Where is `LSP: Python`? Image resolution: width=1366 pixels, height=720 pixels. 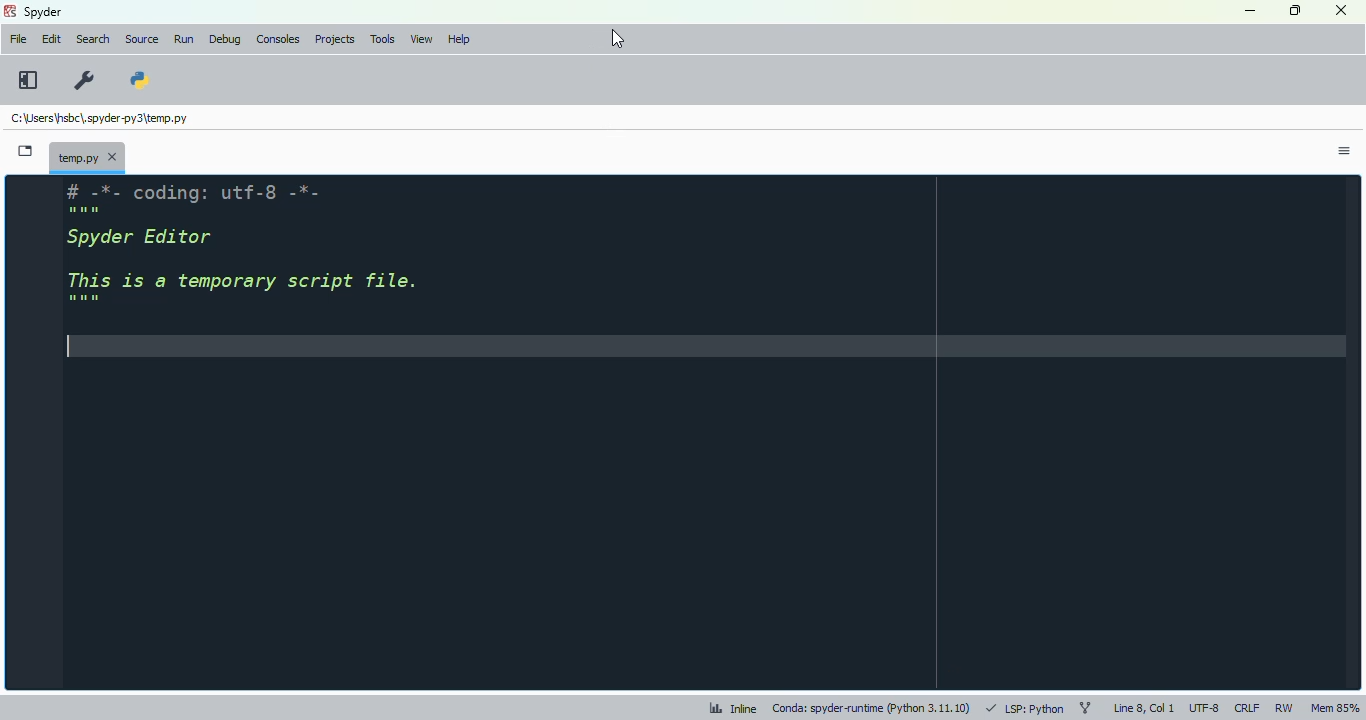 LSP: Python is located at coordinates (1024, 709).